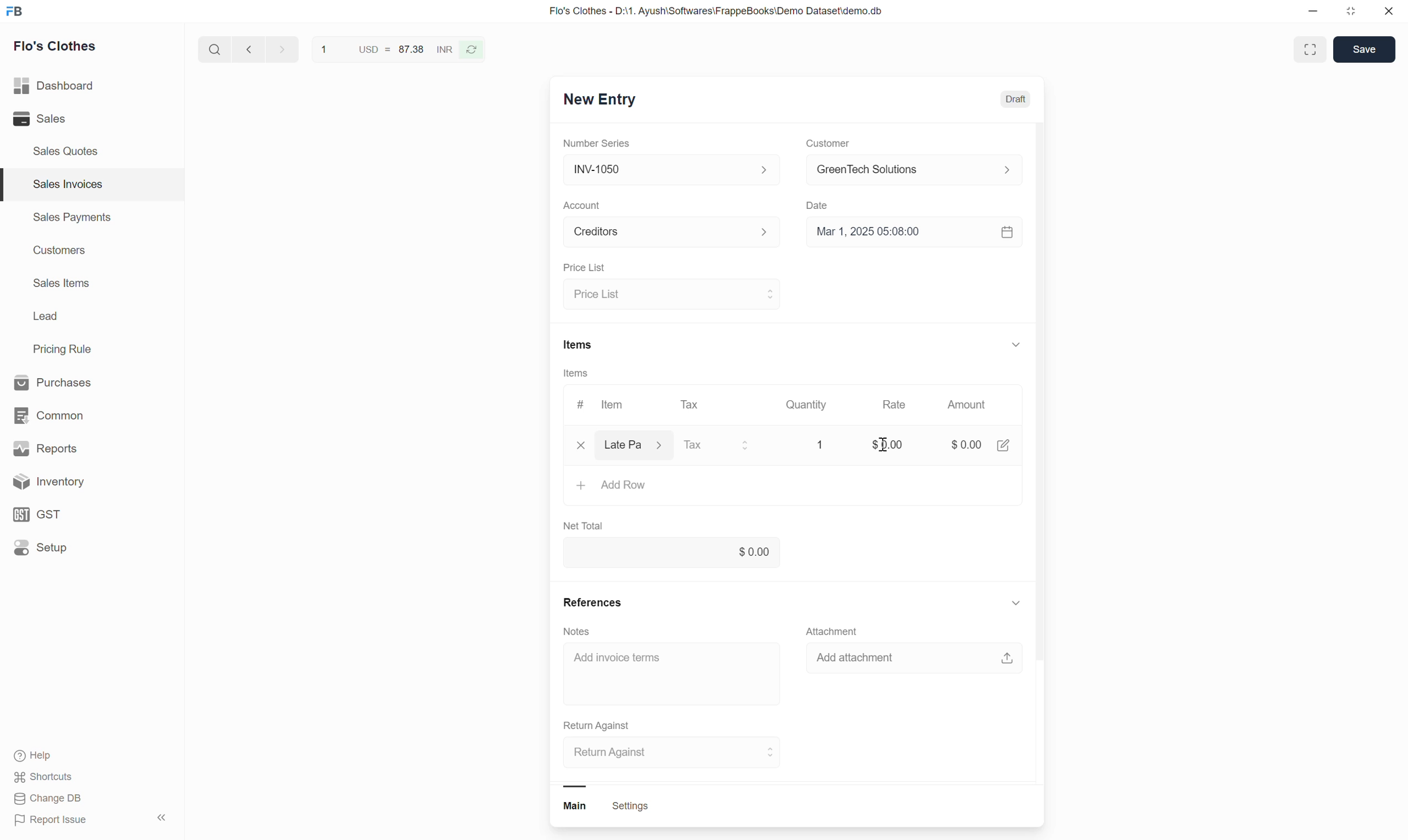 The width and height of the screenshot is (1408, 840). Describe the element at coordinates (584, 205) in the screenshot. I see `Account` at that location.